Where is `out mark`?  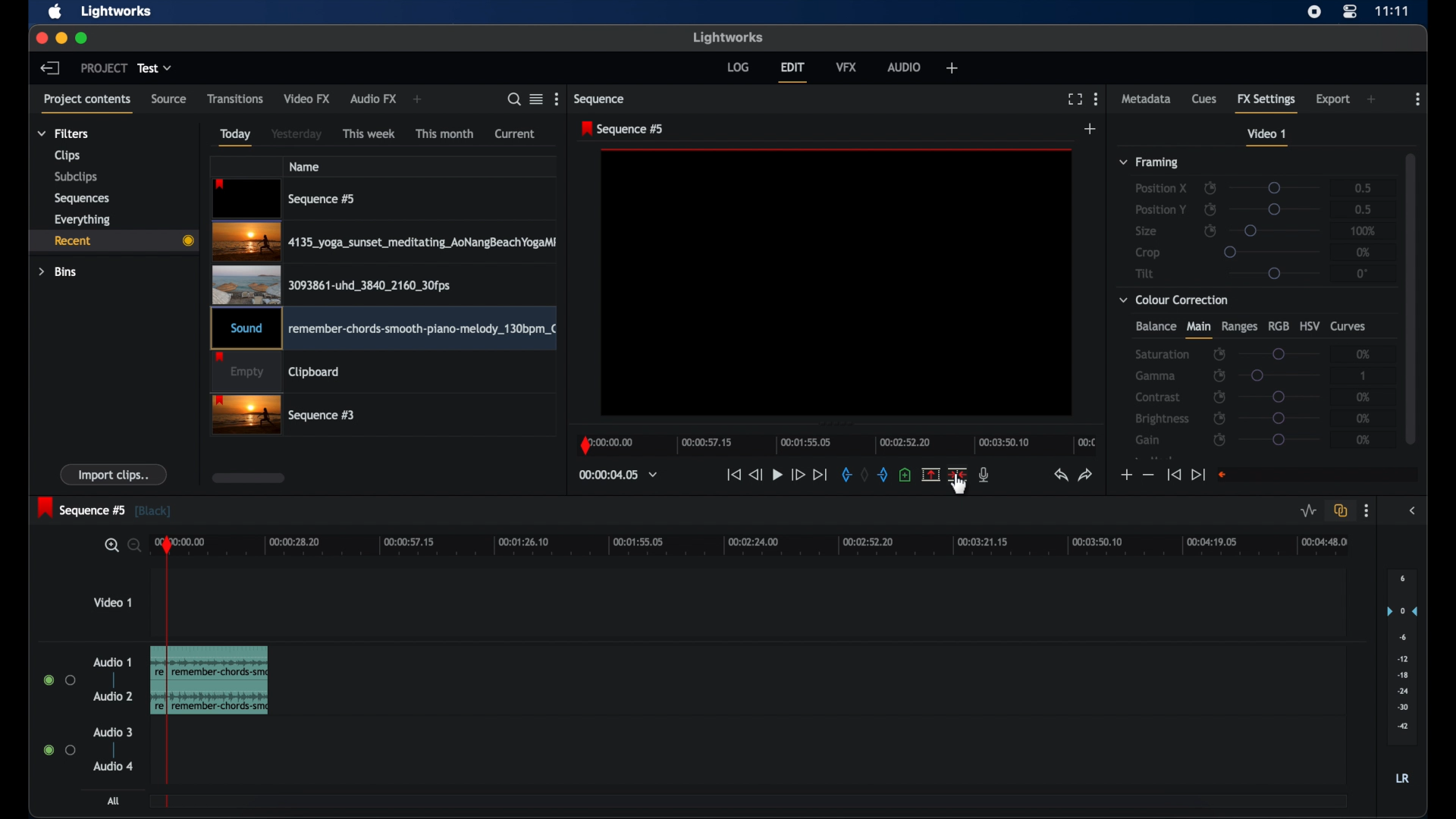
out mark is located at coordinates (882, 475).